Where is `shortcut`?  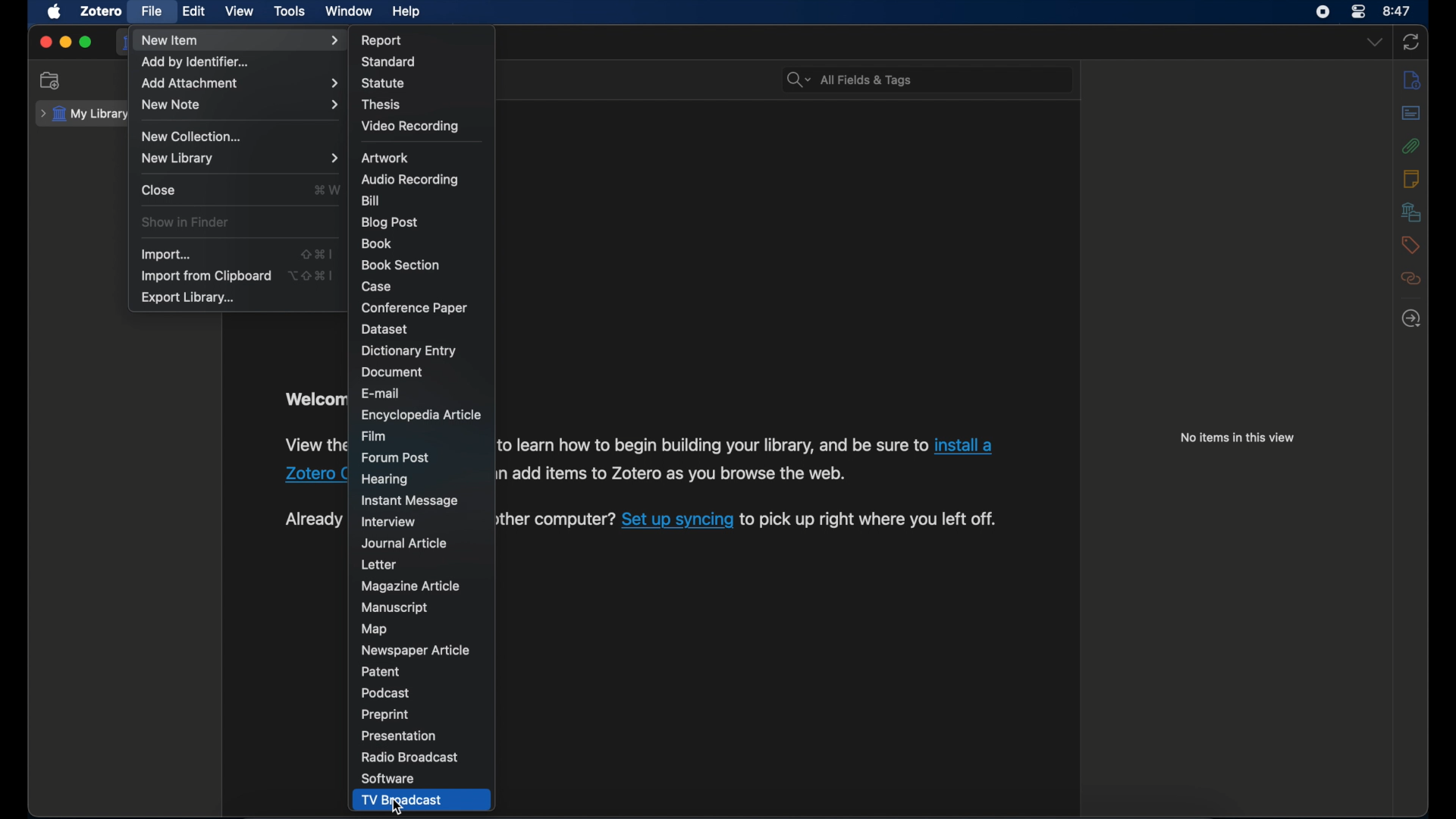 shortcut is located at coordinates (328, 190).